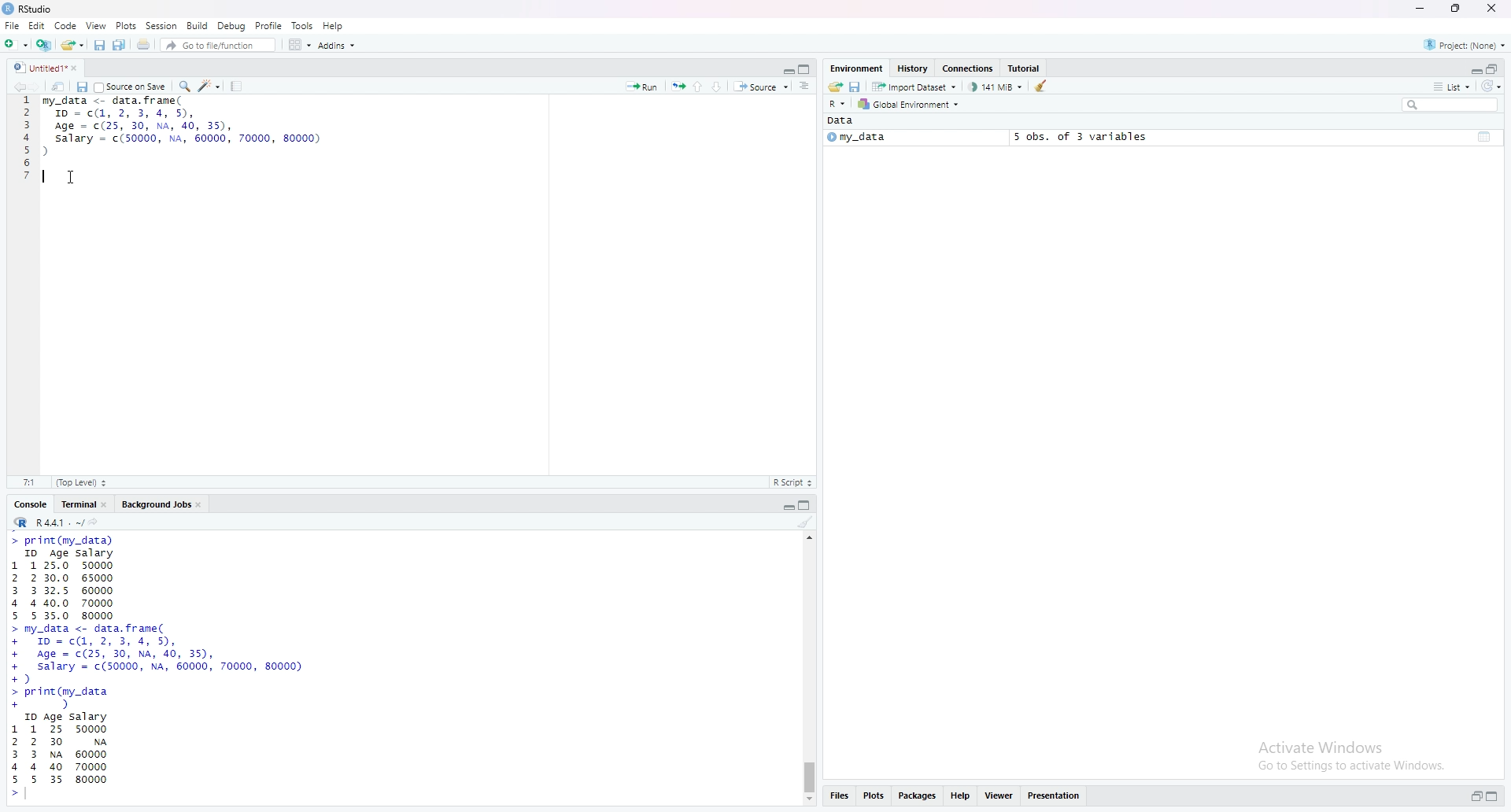 Image resolution: width=1511 pixels, height=812 pixels. Describe the element at coordinates (29, 481) in the screenshot. I see `7:1` at that location.